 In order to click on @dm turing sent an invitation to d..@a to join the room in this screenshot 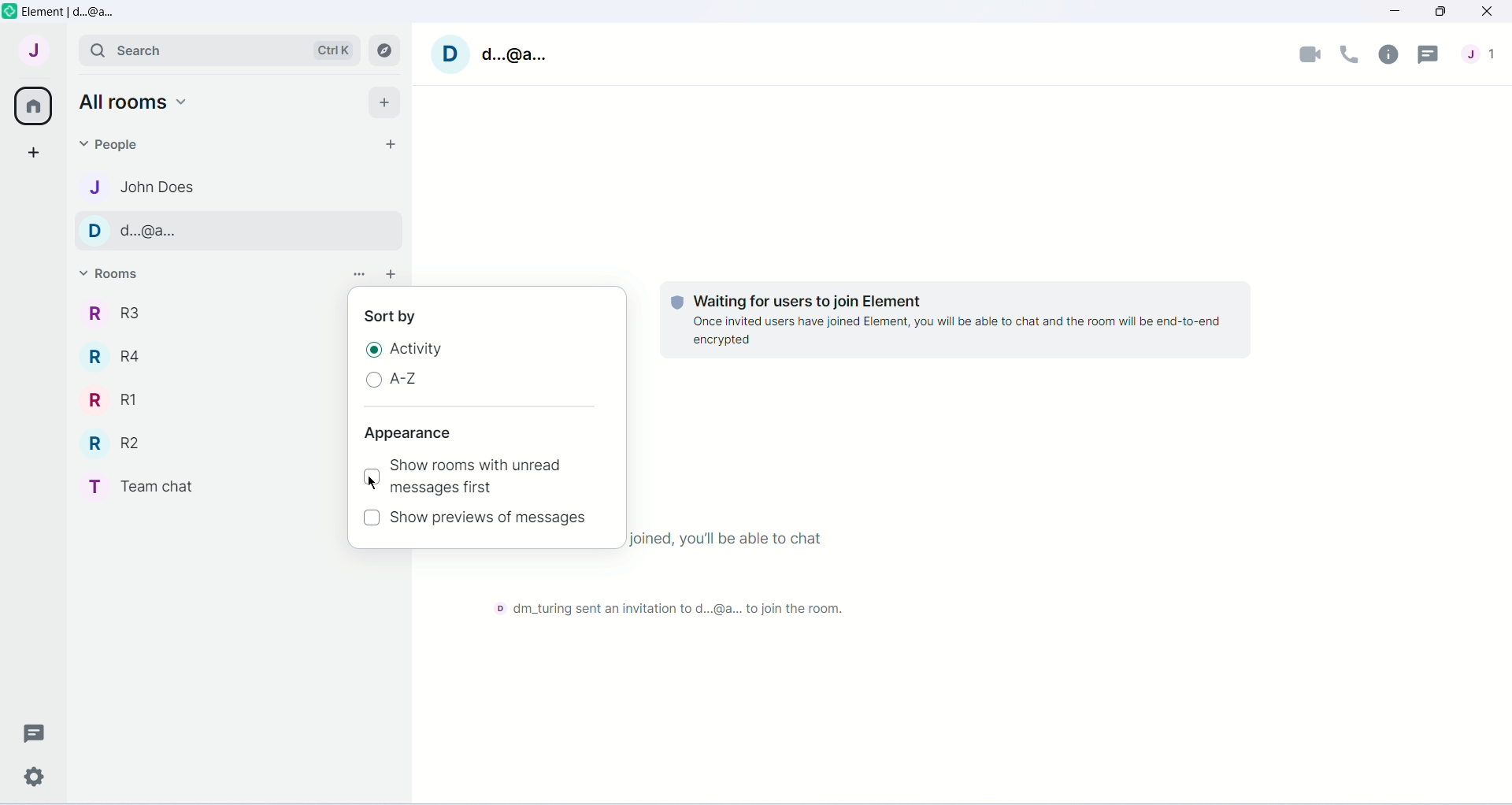, I will do `click(667, 611)`.